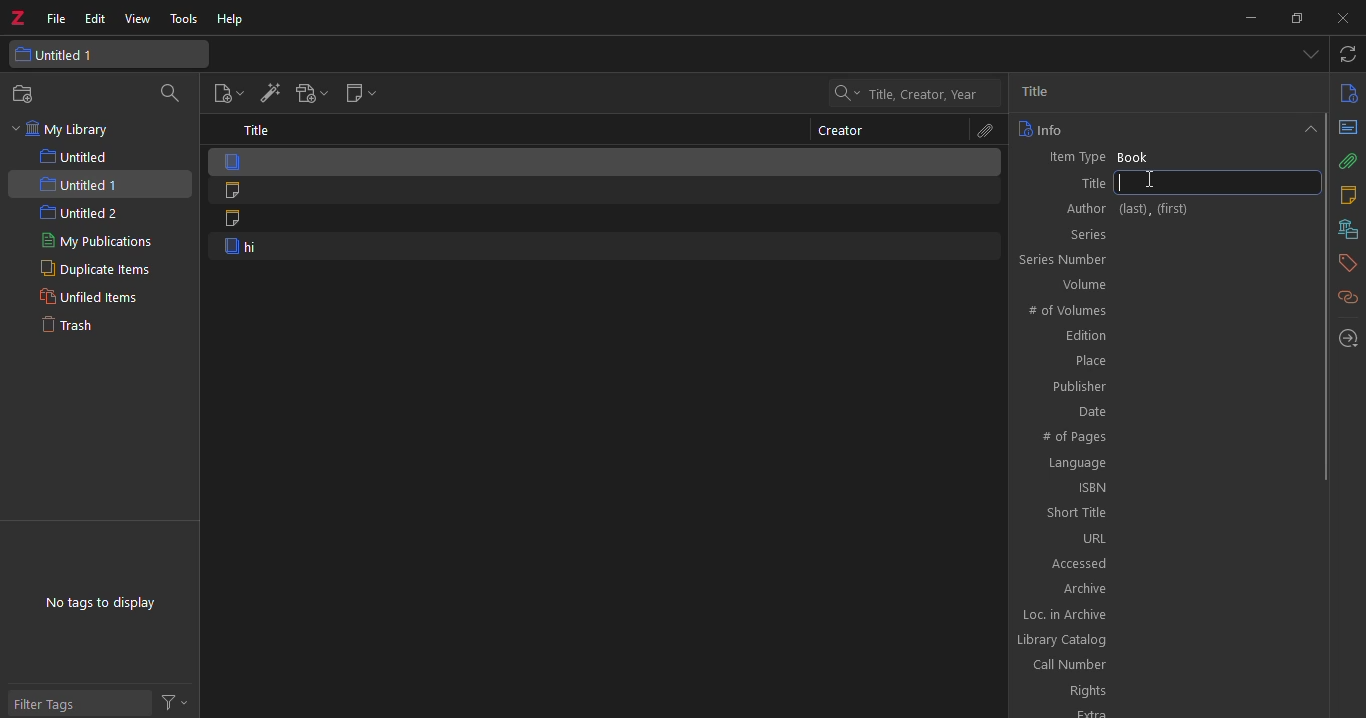 This screenshot has height=718, width=1366. What do you see at coordinates (1164, 387) in the screenshot?
I see `publisher` at bounding box center [1164, 387].